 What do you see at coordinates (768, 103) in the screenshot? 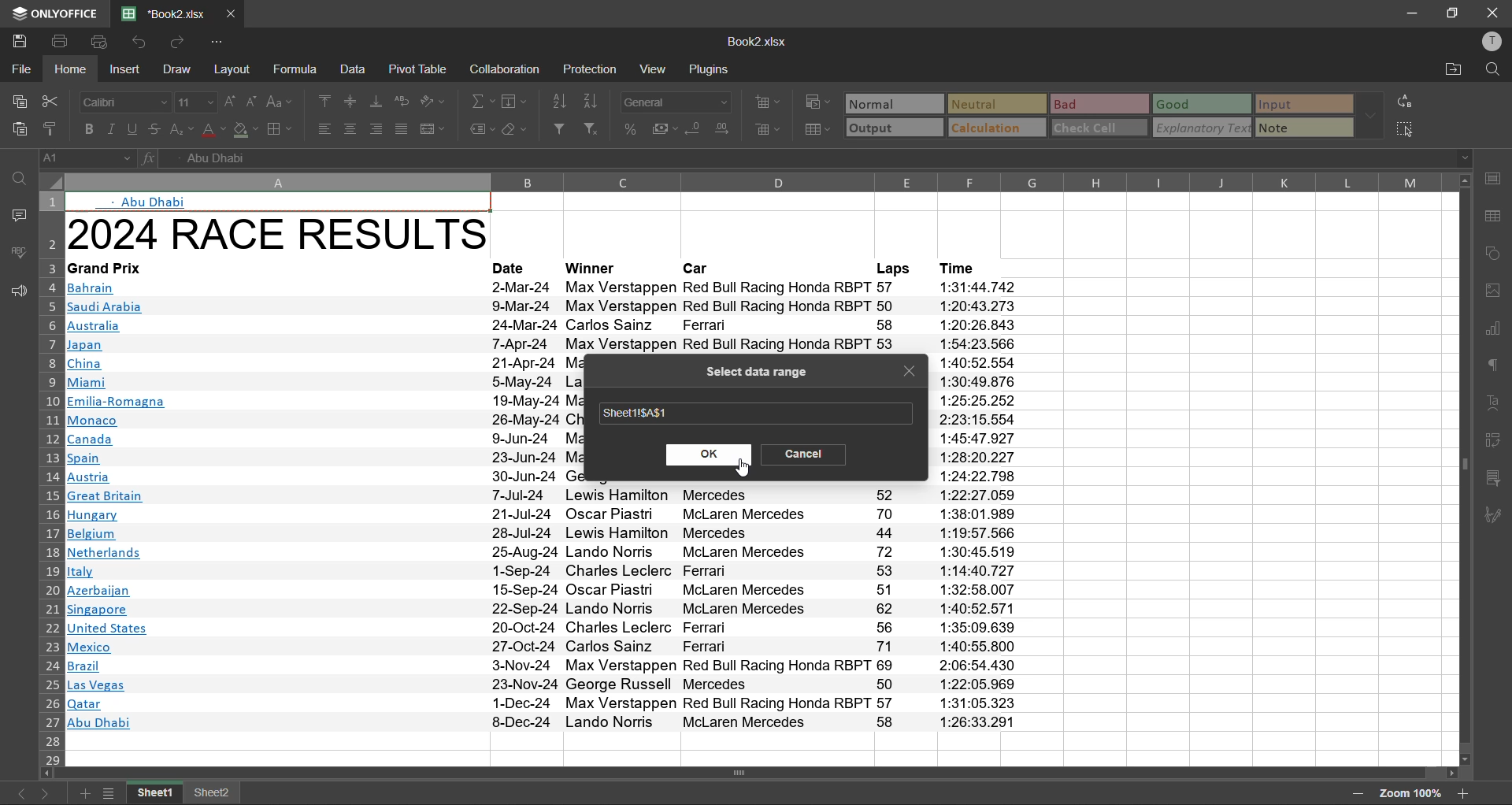
I see `insert cells` at bounding box center [768, 103].